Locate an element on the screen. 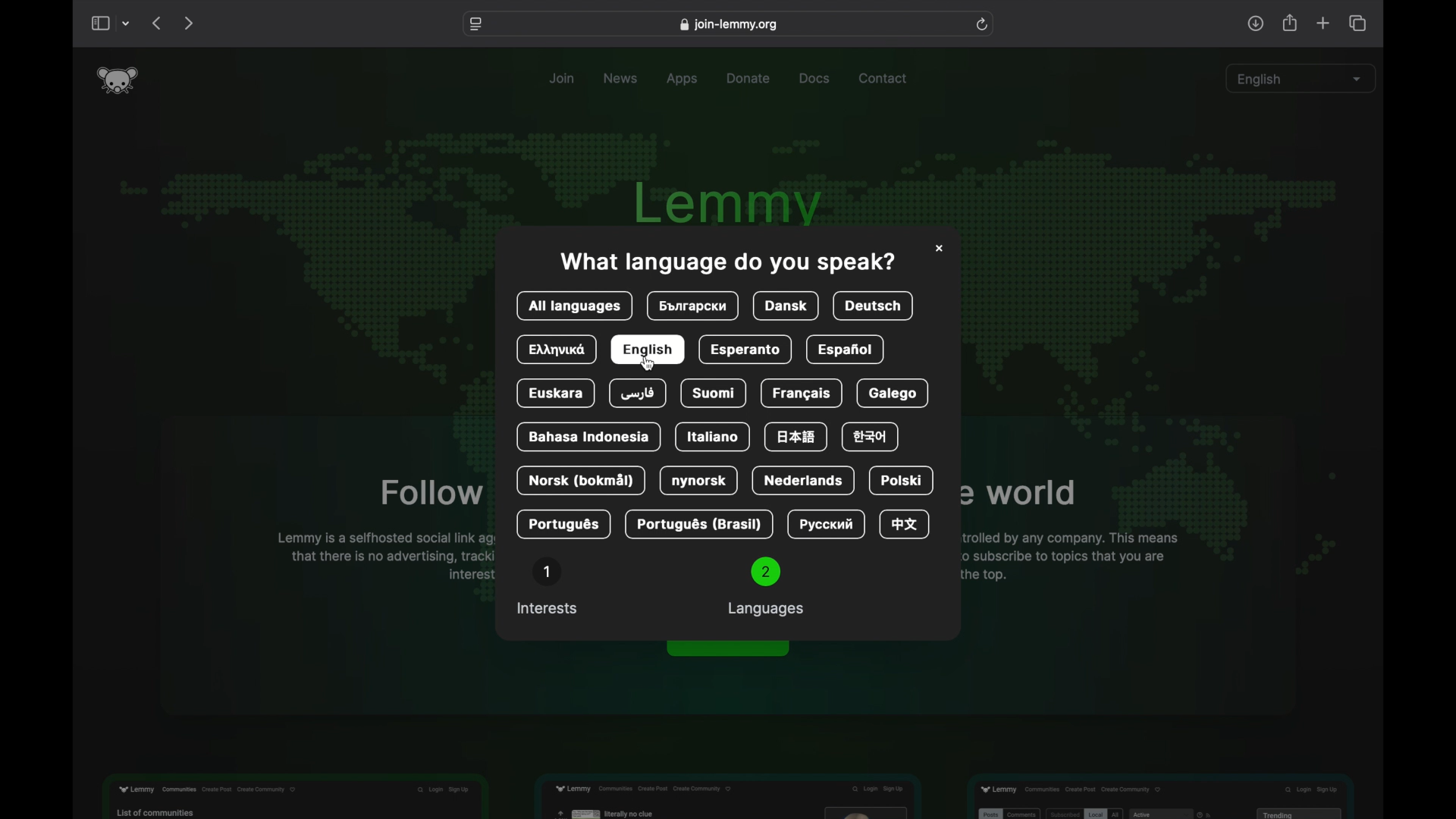 This screenshot has width=1456, height=819. language is located at coordinates (871, 437).